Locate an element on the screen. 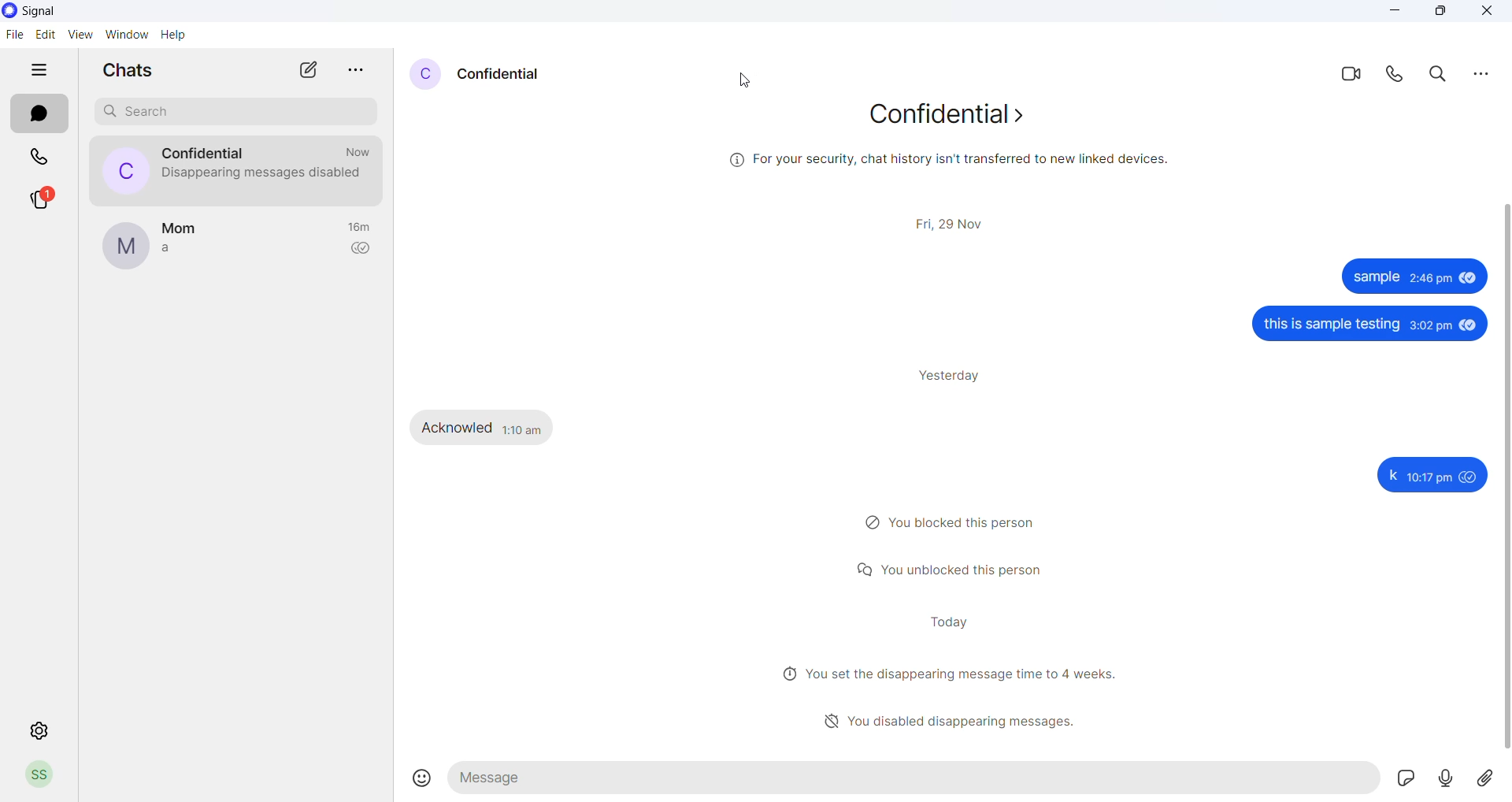   is located at coordinates (1394, 11).